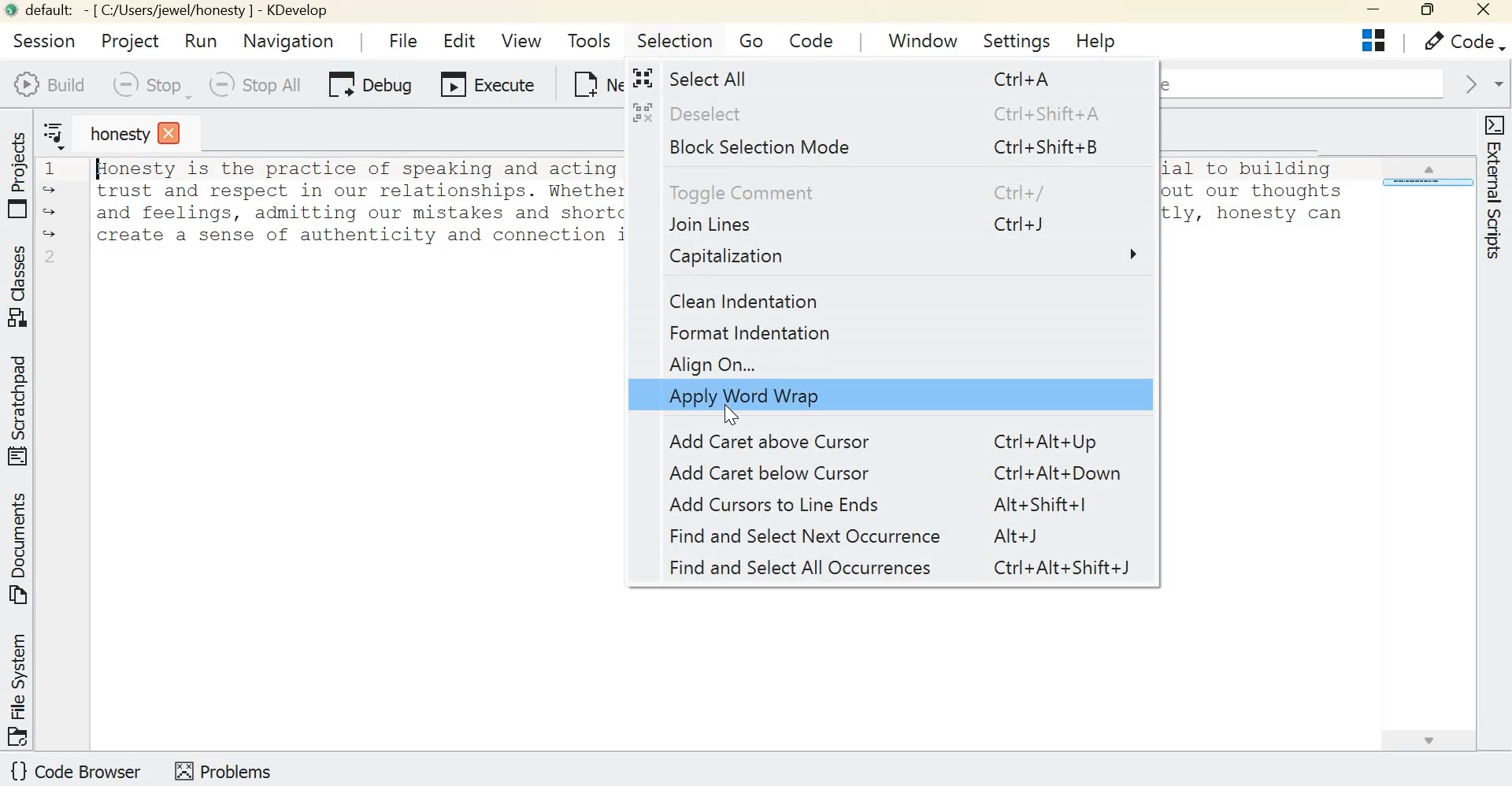  I want to click on Toggle 'problems' tool view, so click(223, 769).